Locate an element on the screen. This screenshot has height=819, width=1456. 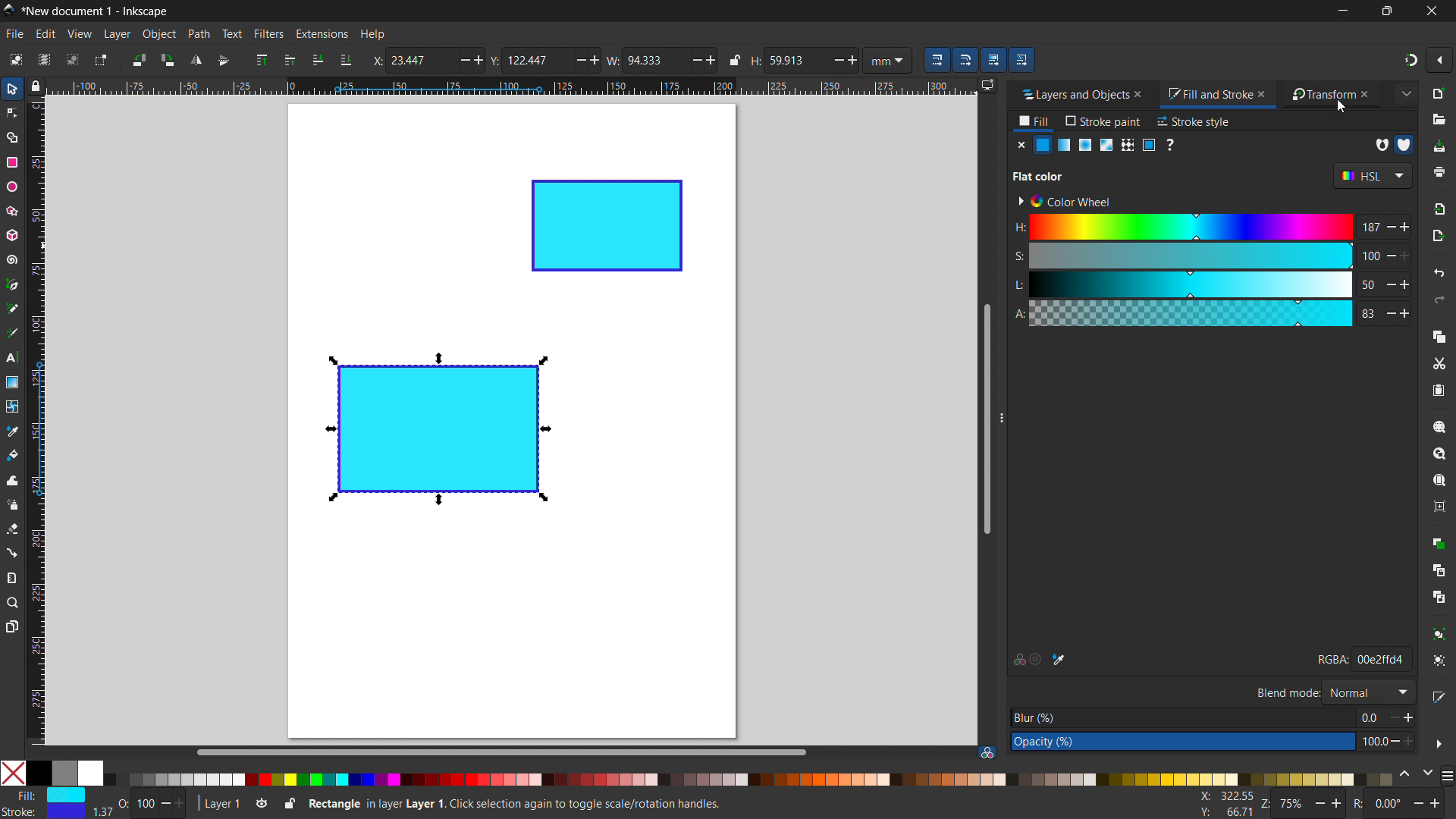
minus/ decrease is located at coordinates (458, 60).